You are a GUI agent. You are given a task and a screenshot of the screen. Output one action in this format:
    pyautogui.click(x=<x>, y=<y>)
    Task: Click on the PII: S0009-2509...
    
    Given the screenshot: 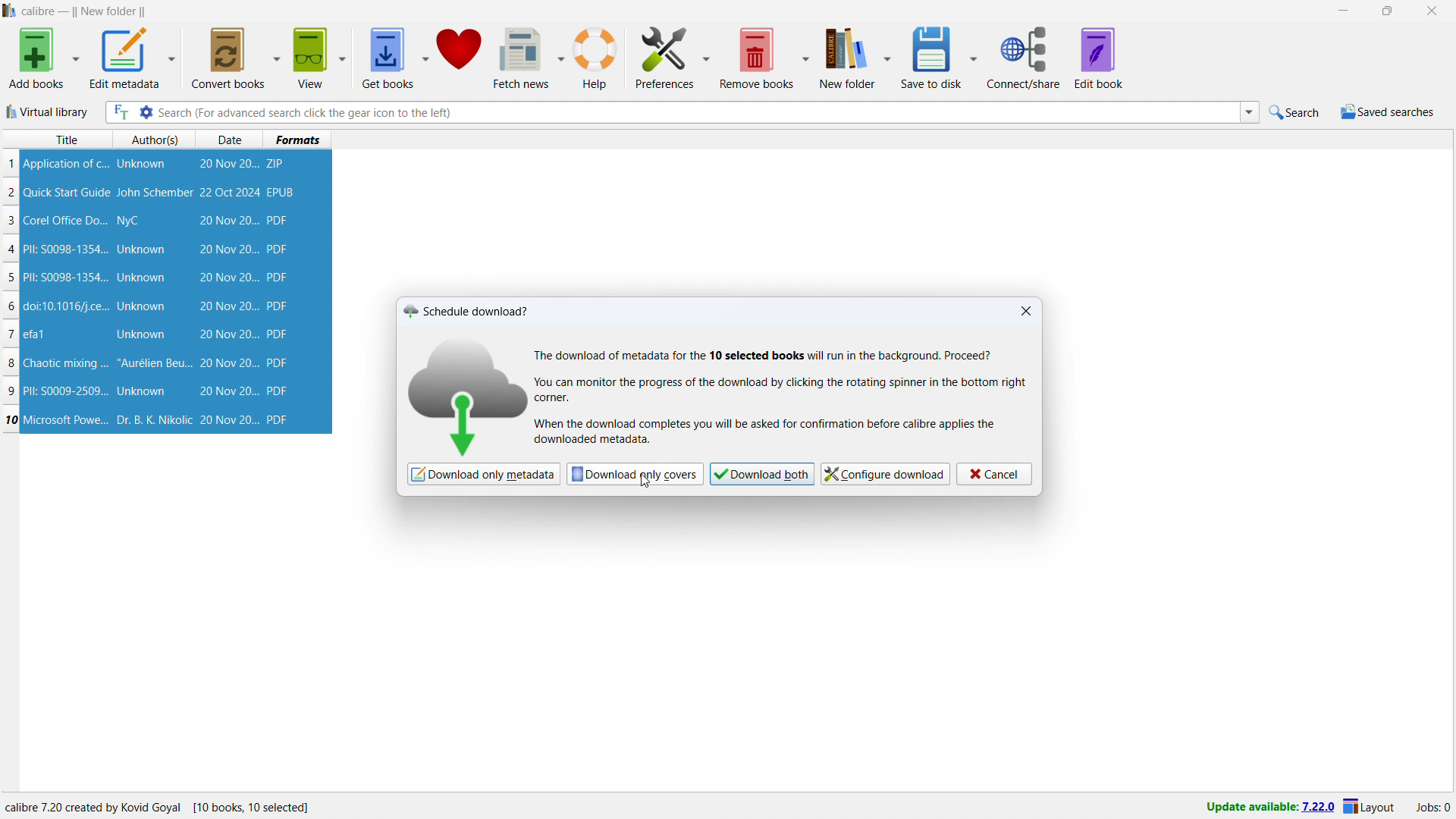 What is the action you would take?
    pyautogui.click(x=67, y=390)
    